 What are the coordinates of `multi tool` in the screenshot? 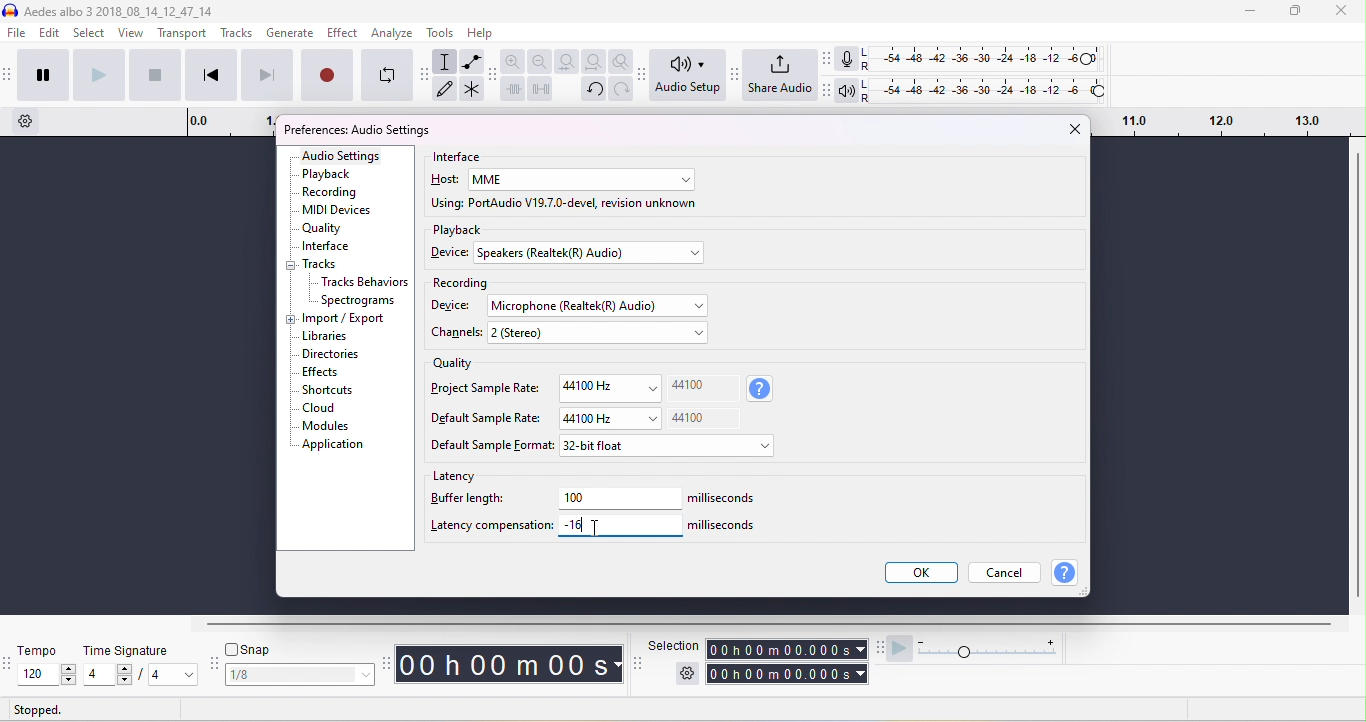 It's located at (472, 92).